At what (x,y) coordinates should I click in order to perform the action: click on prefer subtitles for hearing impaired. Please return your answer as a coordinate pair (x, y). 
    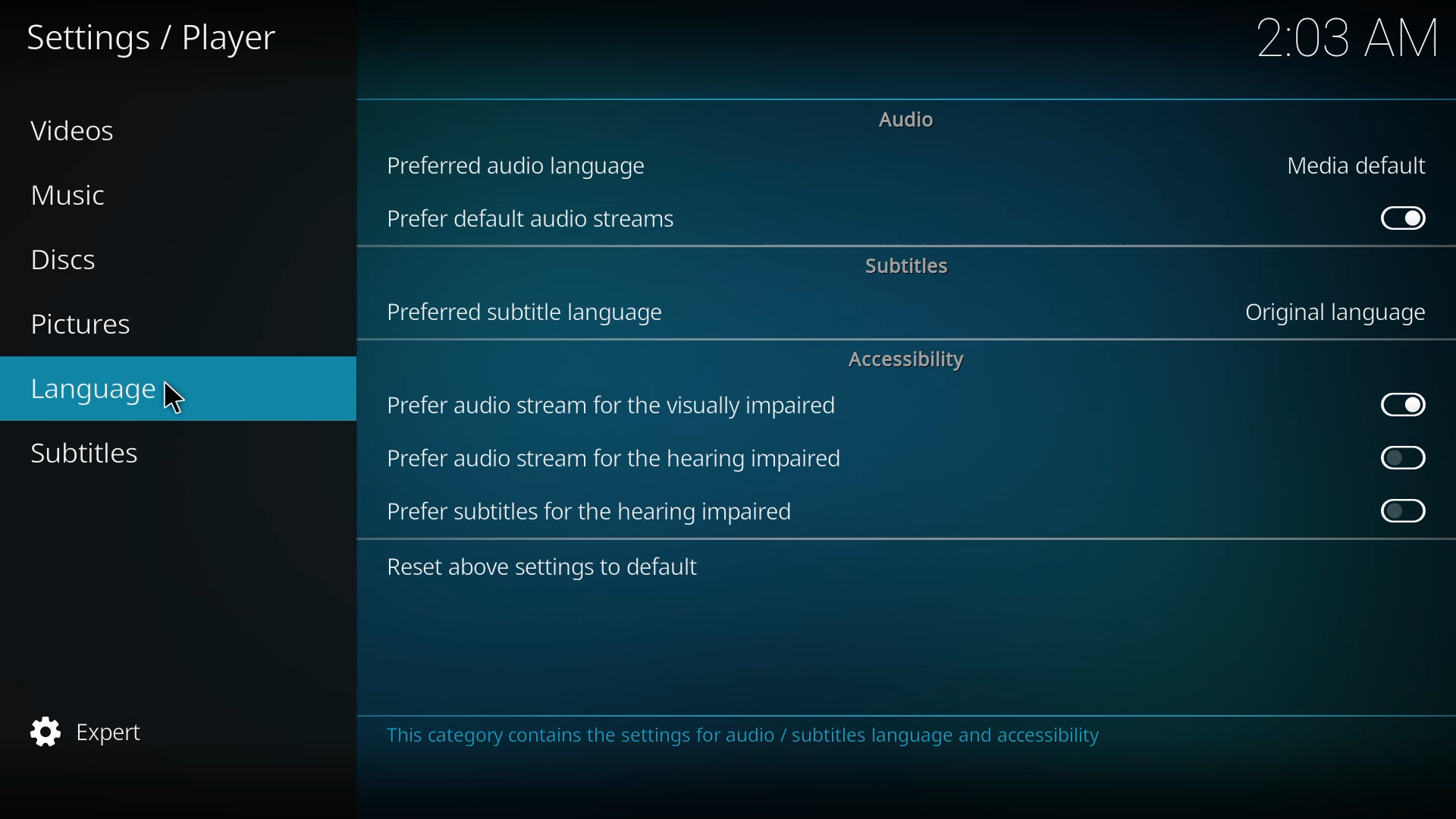
    Looking at the image, I should click on (597, 510).